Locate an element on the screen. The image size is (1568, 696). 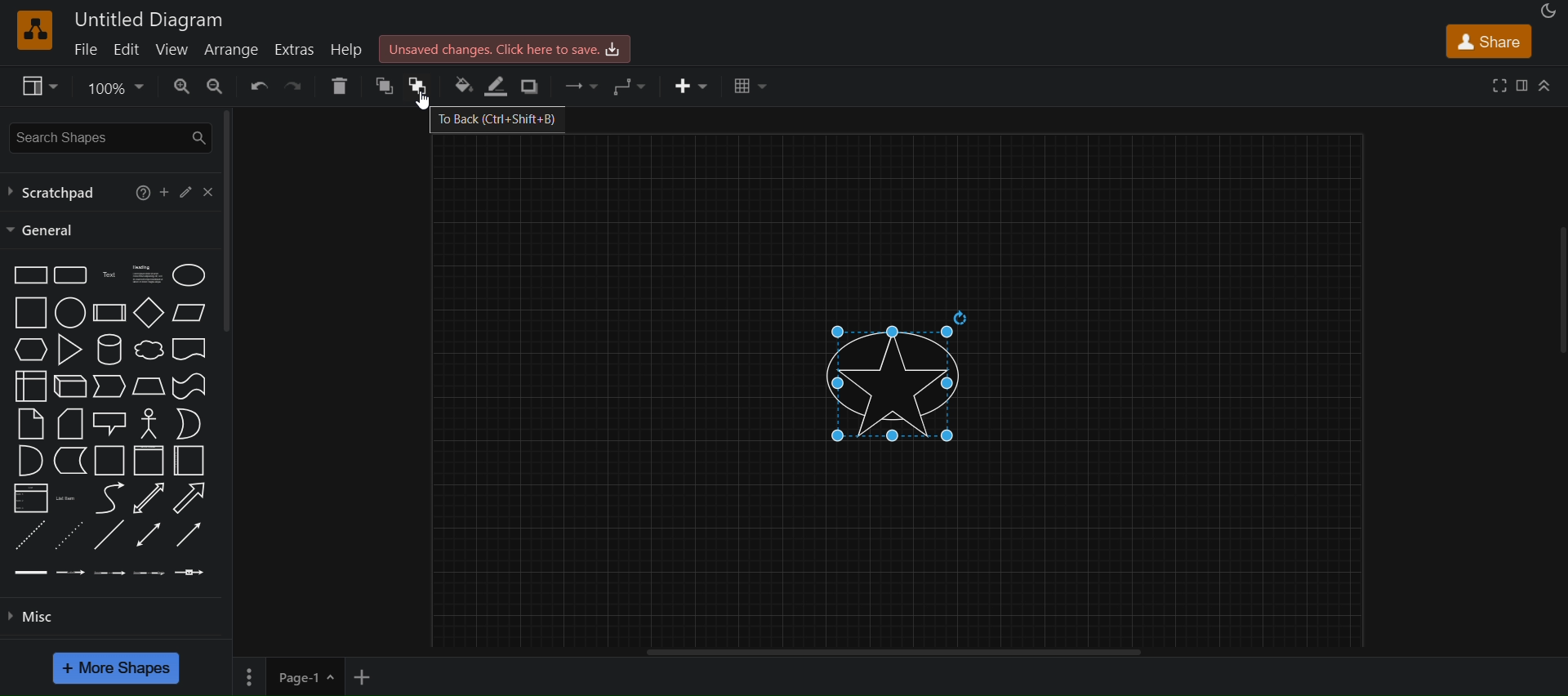
selected star shape is located at coordinates (902, 378).